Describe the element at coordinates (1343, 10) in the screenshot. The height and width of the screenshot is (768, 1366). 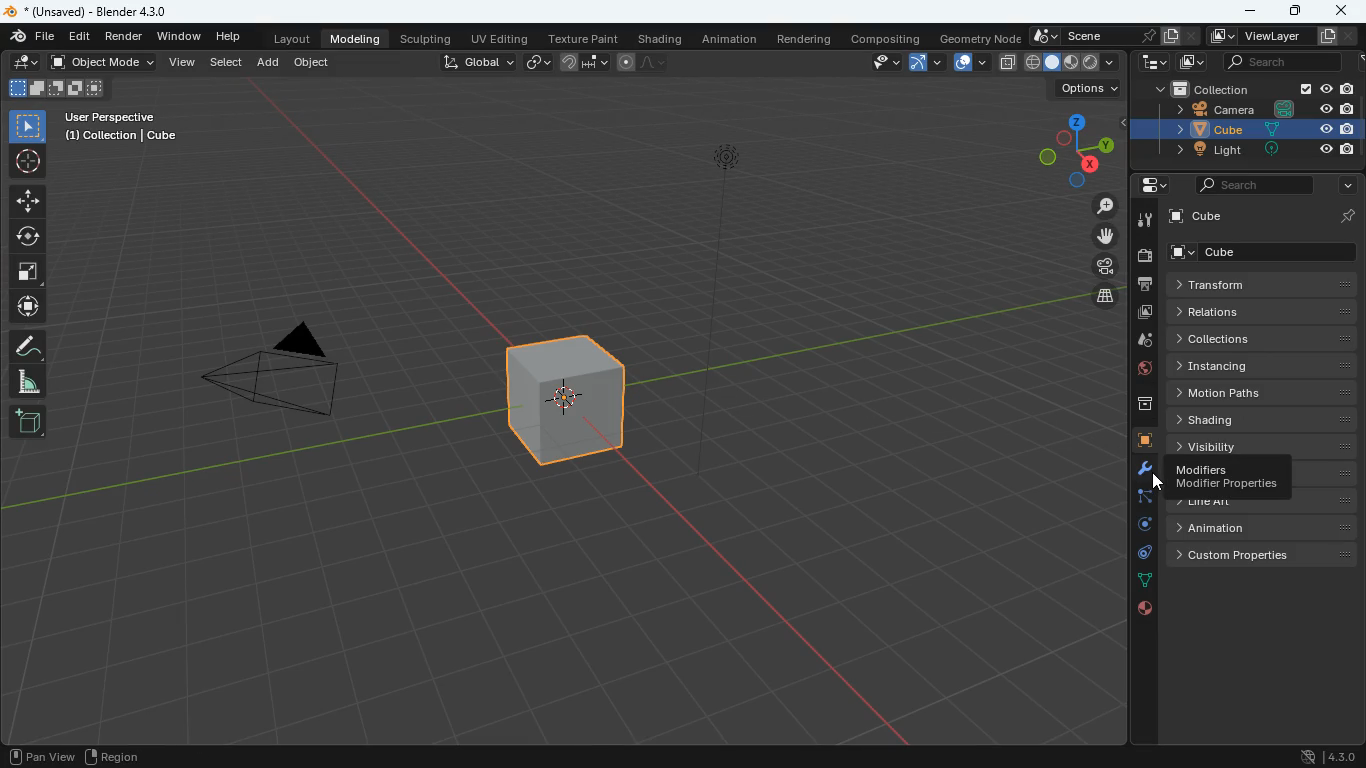
I see `close` at that location.